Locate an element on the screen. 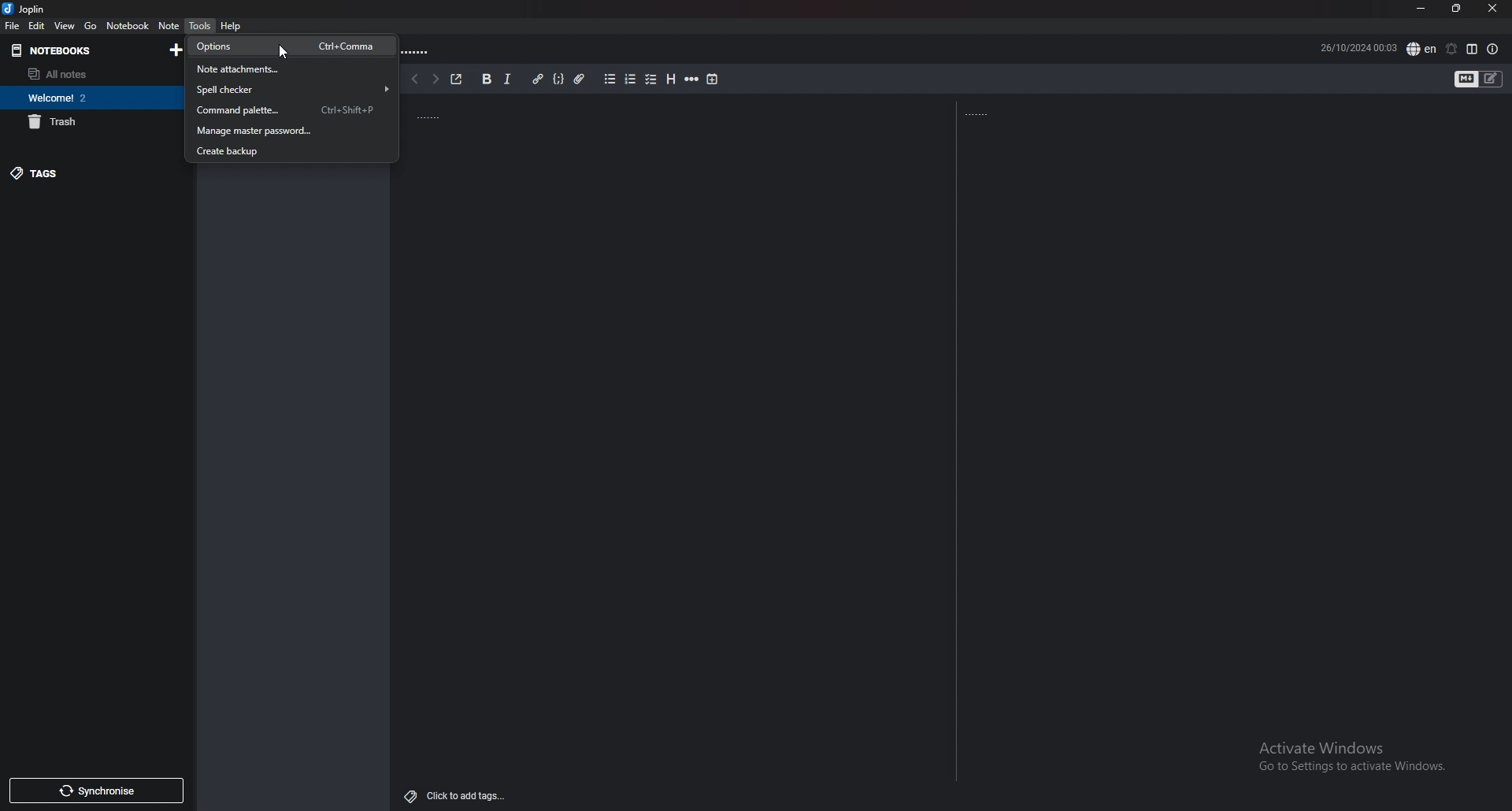  add notebooks is located at coordinates (177, 50).